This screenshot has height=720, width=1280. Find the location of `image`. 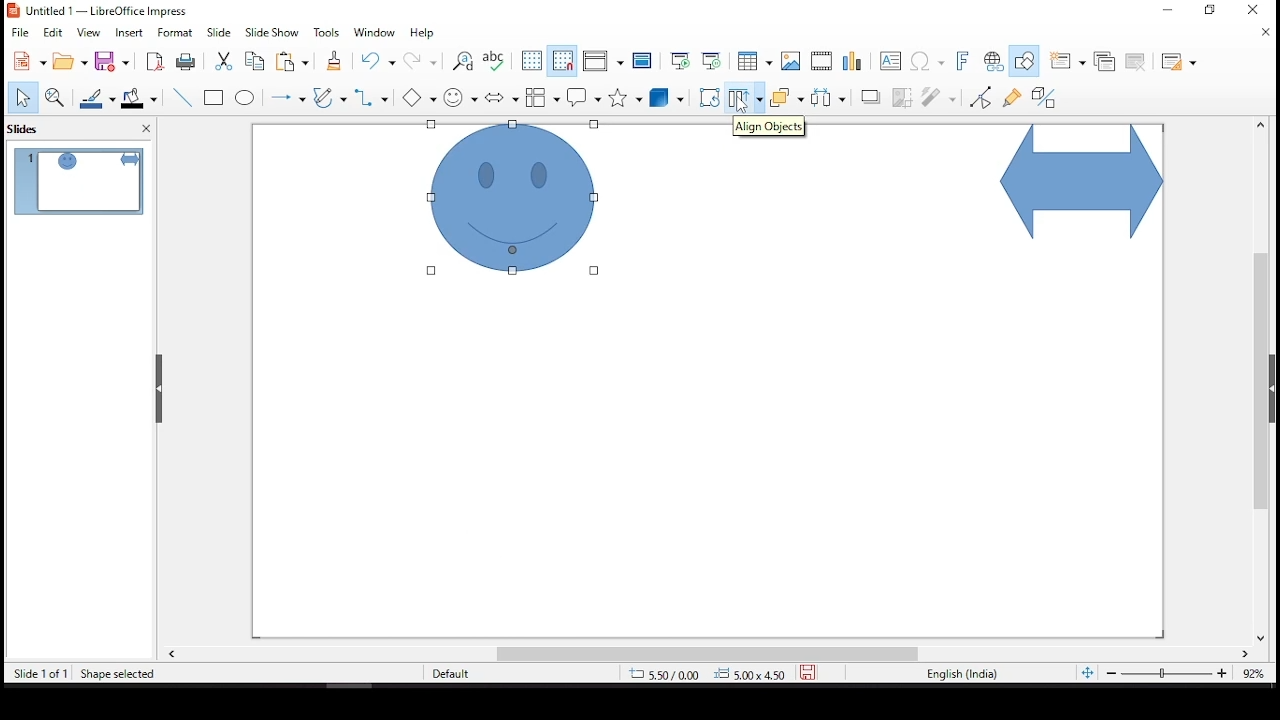

image is located at coordinates (791, 61).